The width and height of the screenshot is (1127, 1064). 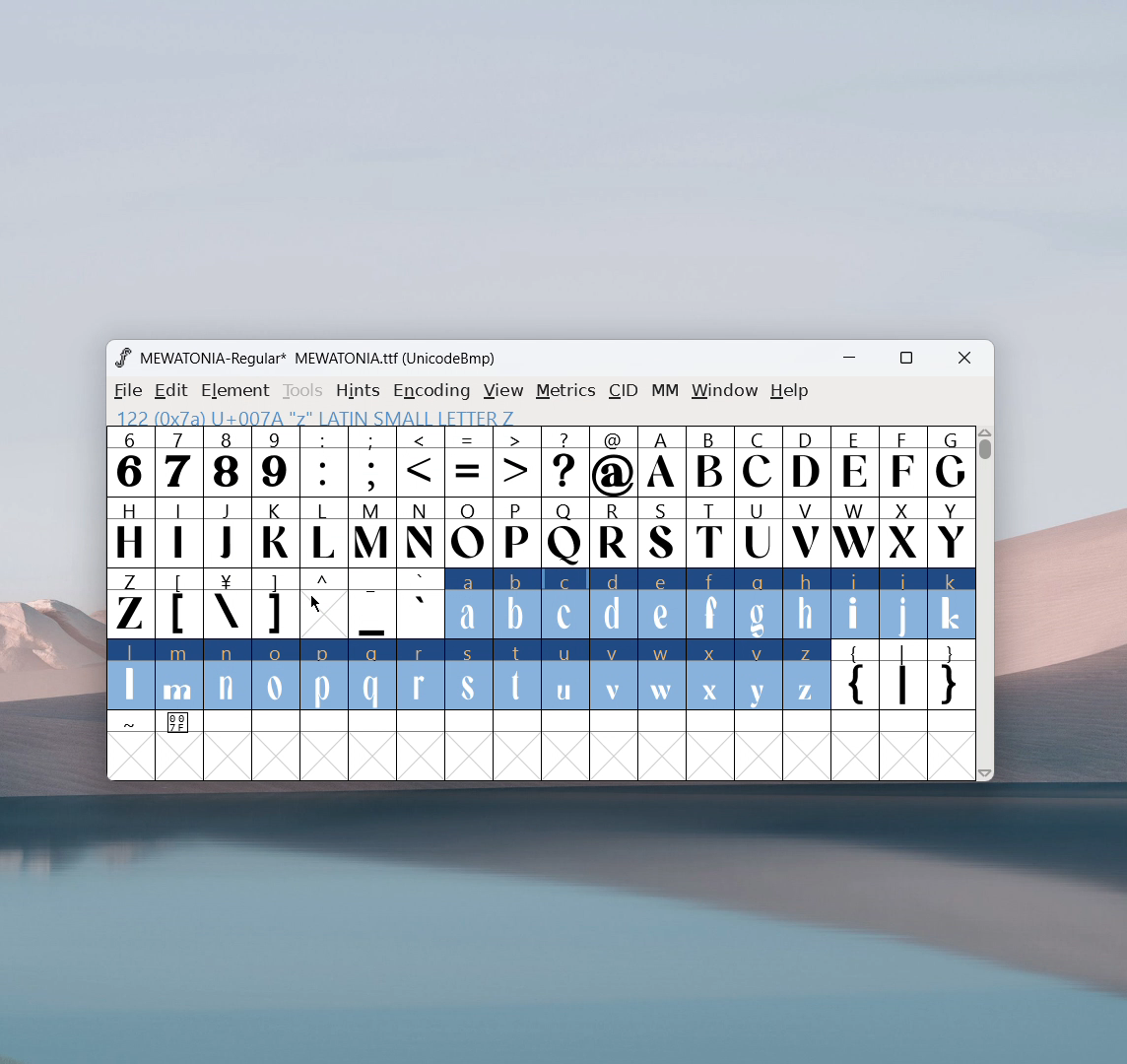 I want to click on J, so click(x=228, y=530).